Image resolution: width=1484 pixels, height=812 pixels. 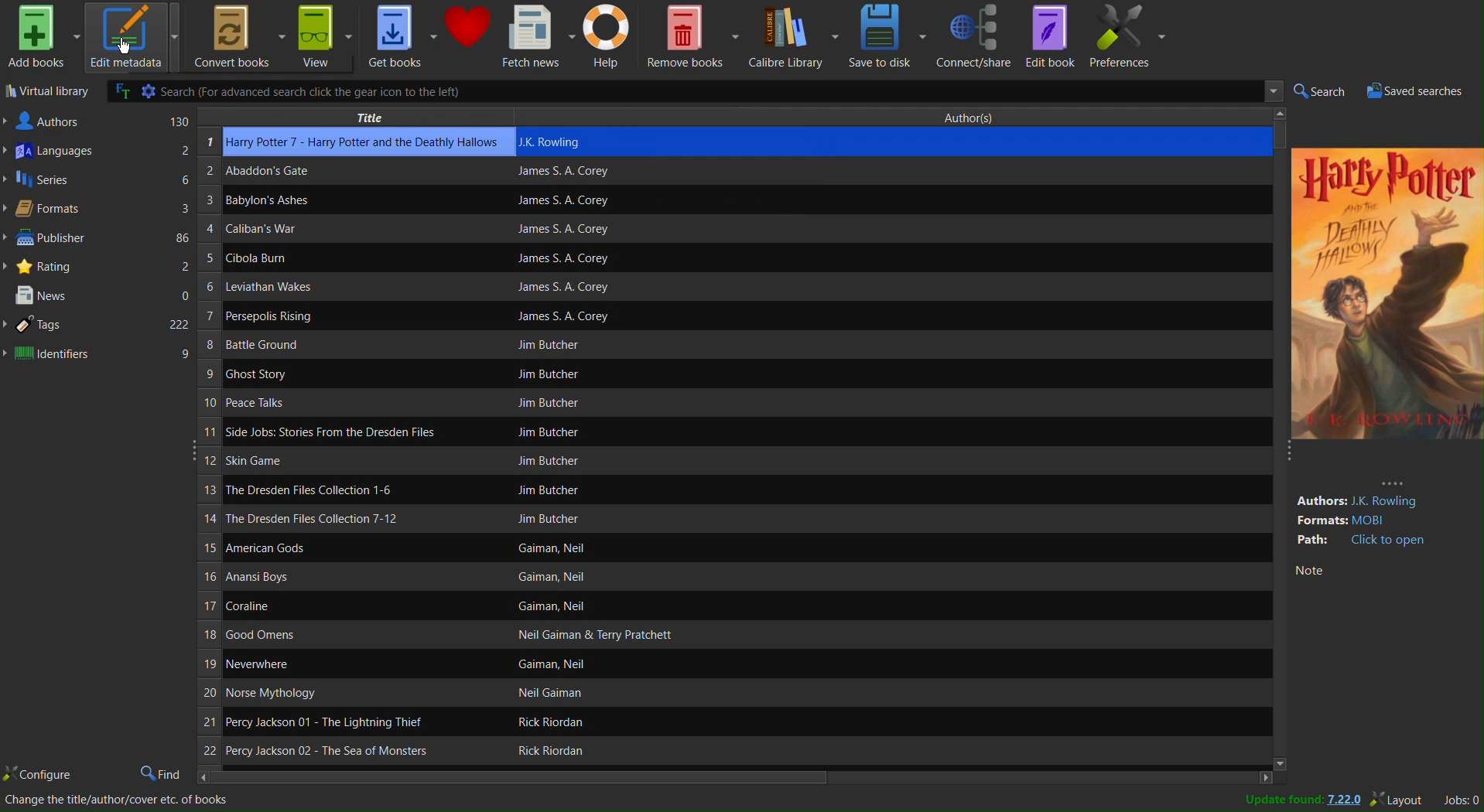 What do you see at coordinates (343, 172) in the screenshot?
I see `Book name` at bounding box center [343, 172].